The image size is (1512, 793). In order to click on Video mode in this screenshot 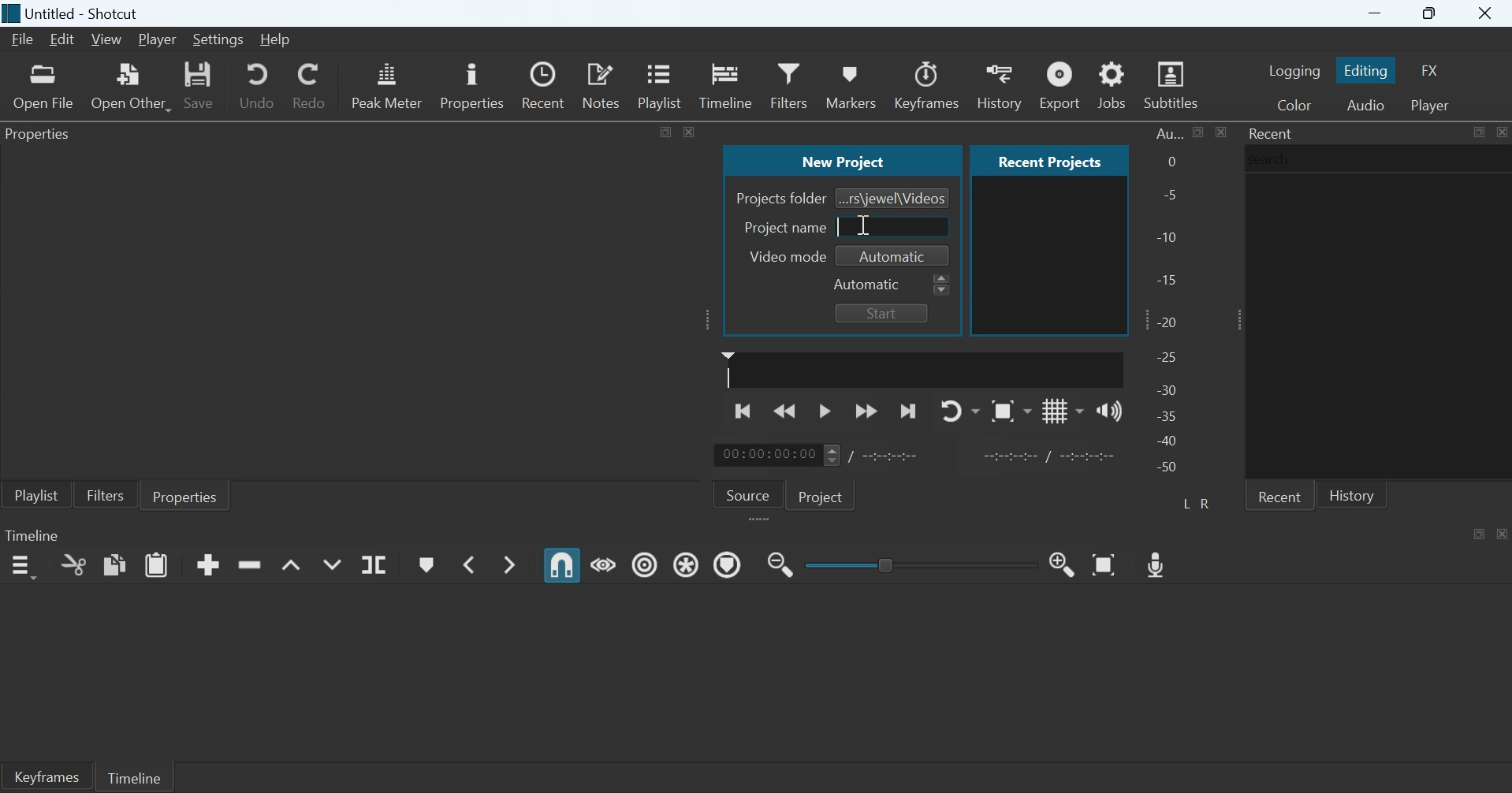, I will do `click(784, 256)`.